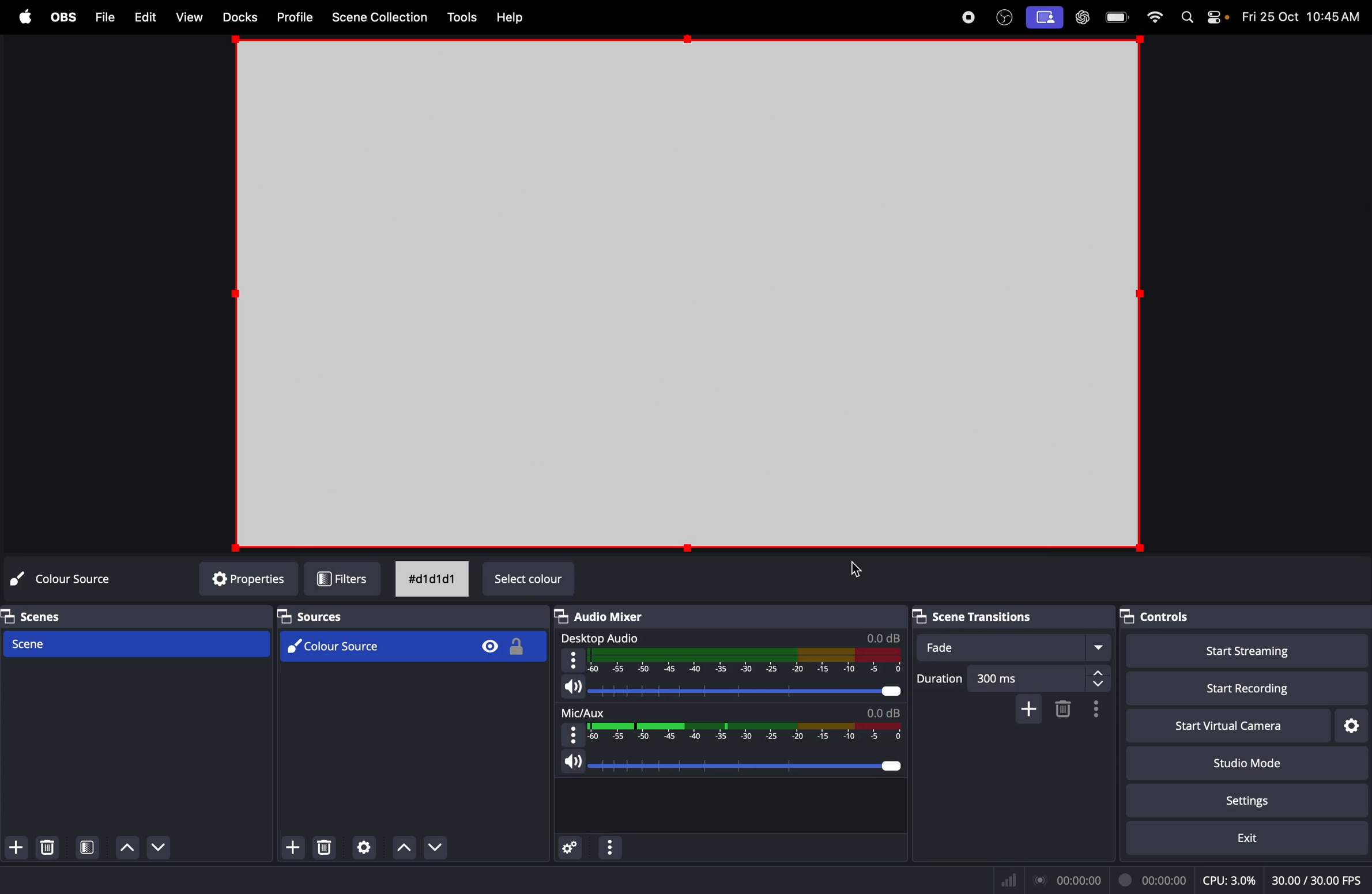  I want to click on screen record, so click(1046, 18).